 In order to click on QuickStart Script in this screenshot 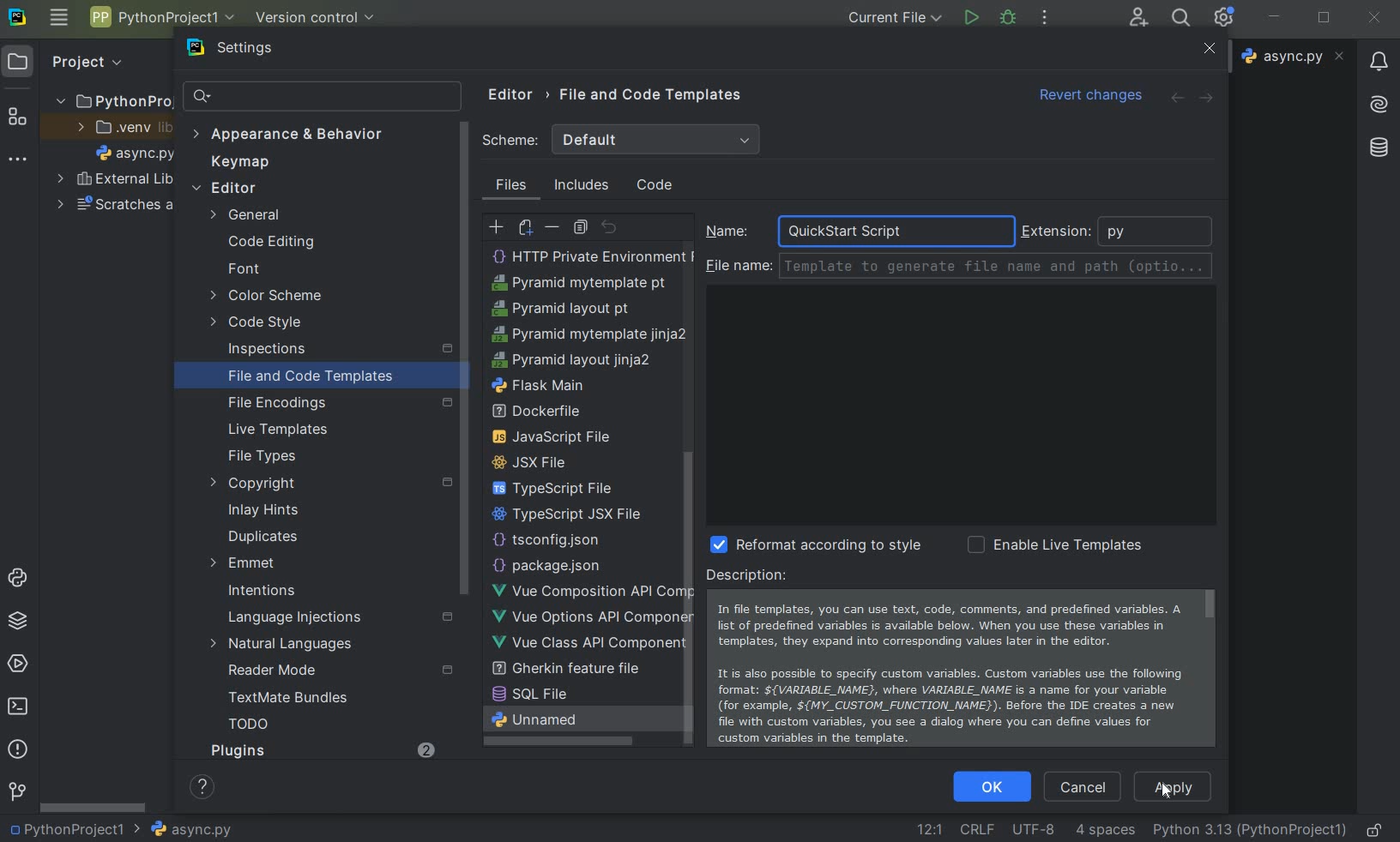, I will do `click(886, 232)`.